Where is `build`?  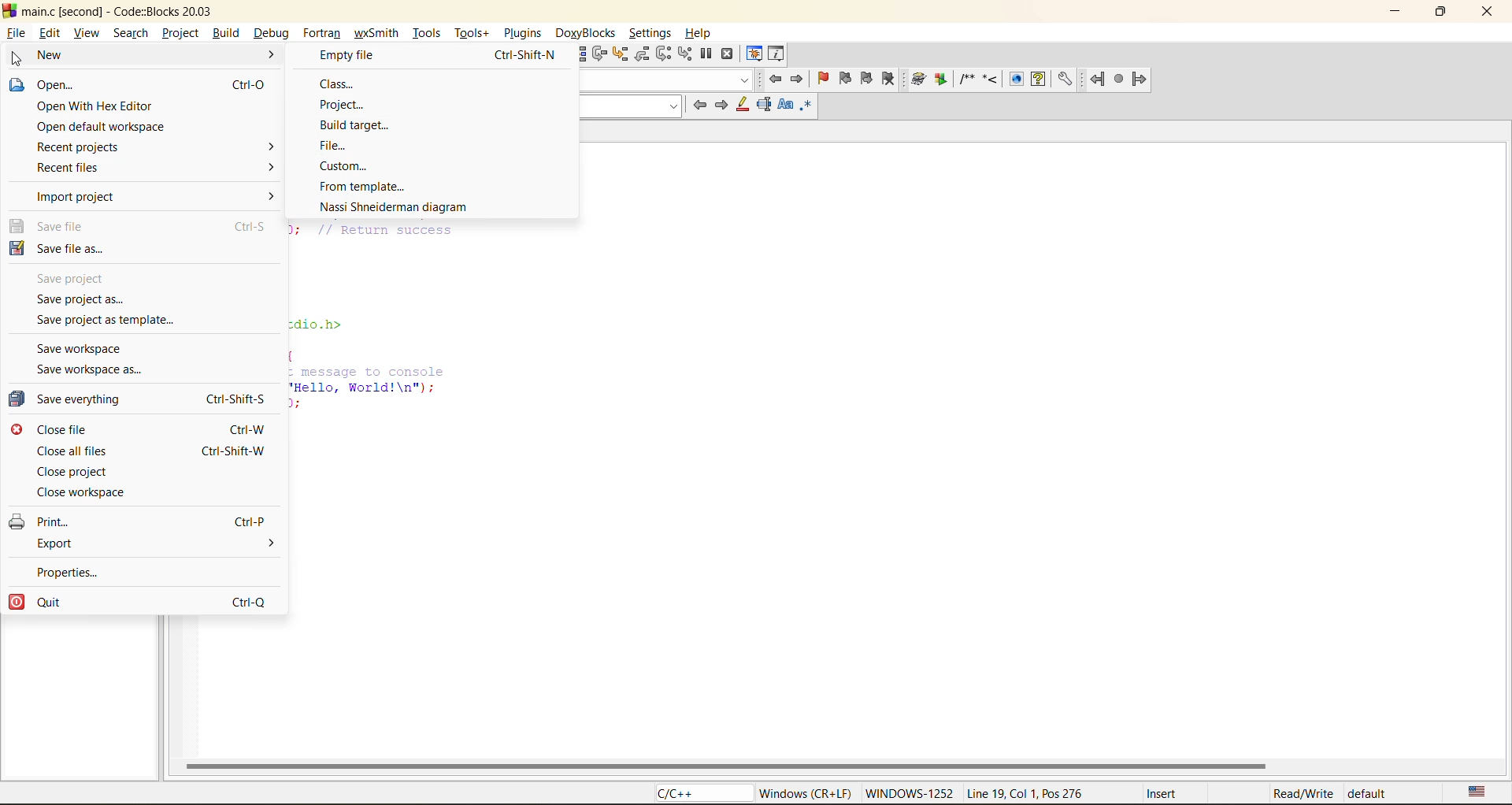 build is located at coordinates (281, 54).